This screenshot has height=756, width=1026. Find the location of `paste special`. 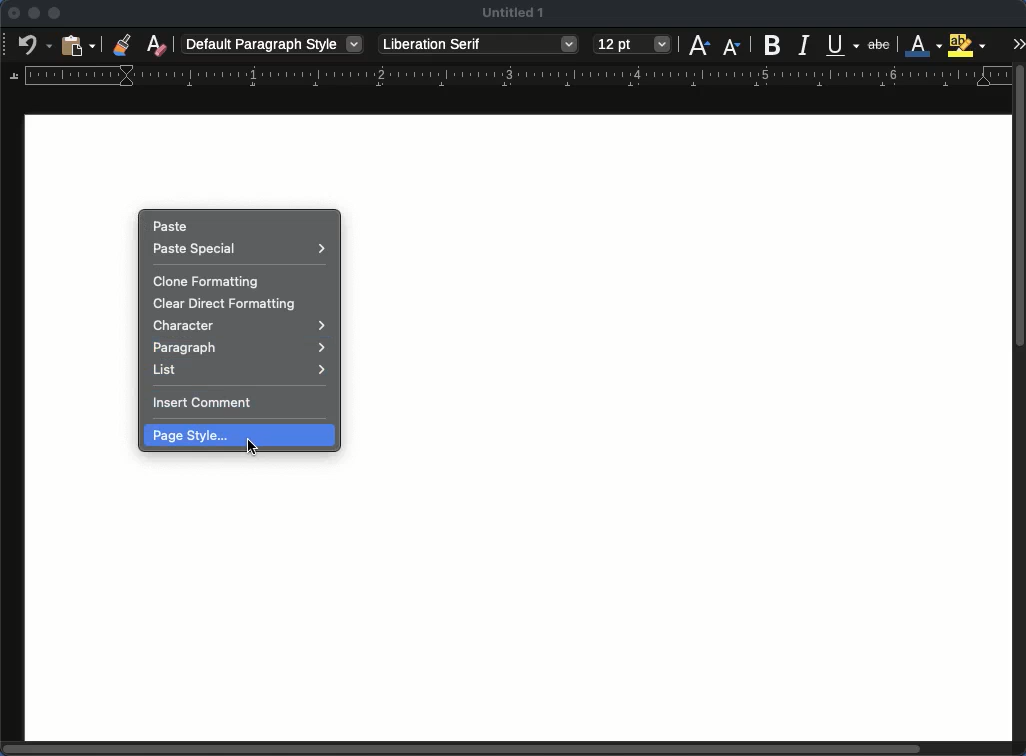

paste special is located at coordinates (242, 249).